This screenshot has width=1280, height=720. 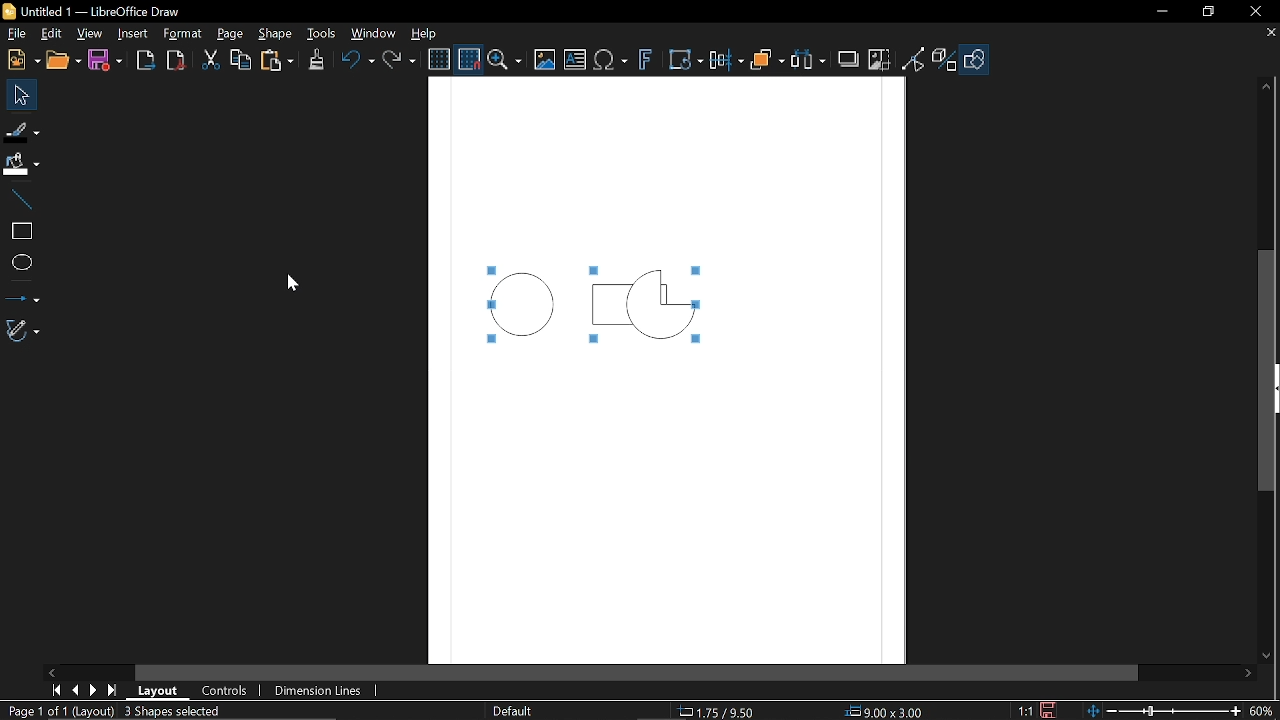 I want to click on Tiny square marked around the selected objects, so click(x=595, y=342).